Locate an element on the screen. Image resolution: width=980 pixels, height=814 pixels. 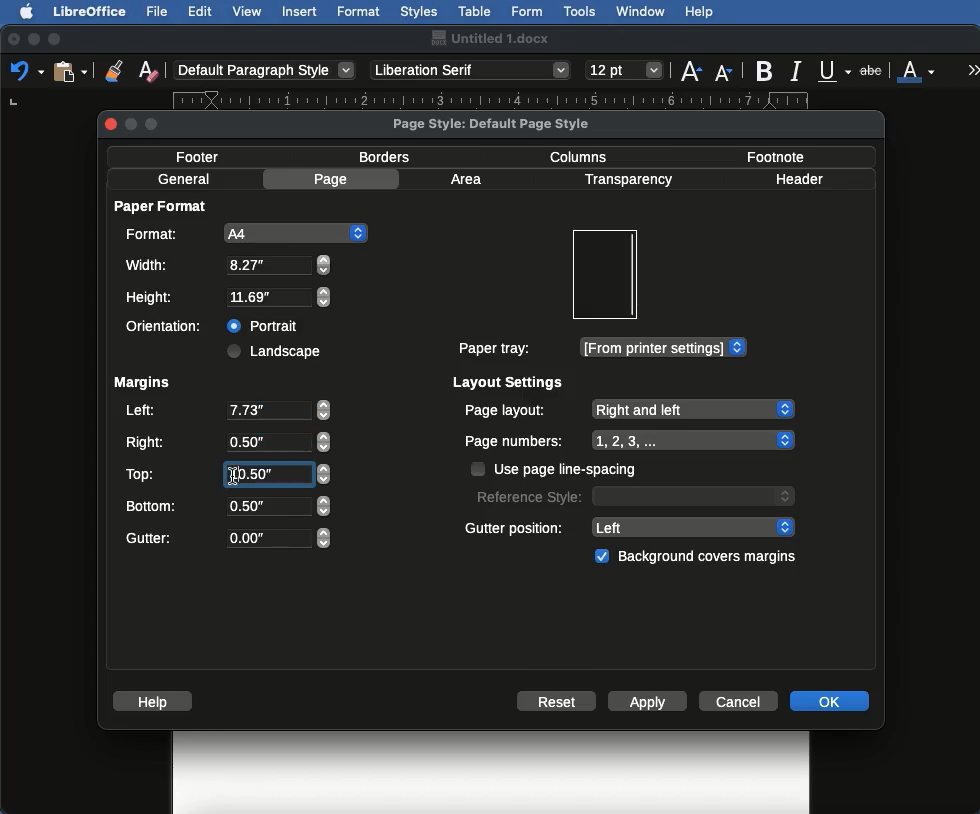
Help is located at coordinates (156, 701).